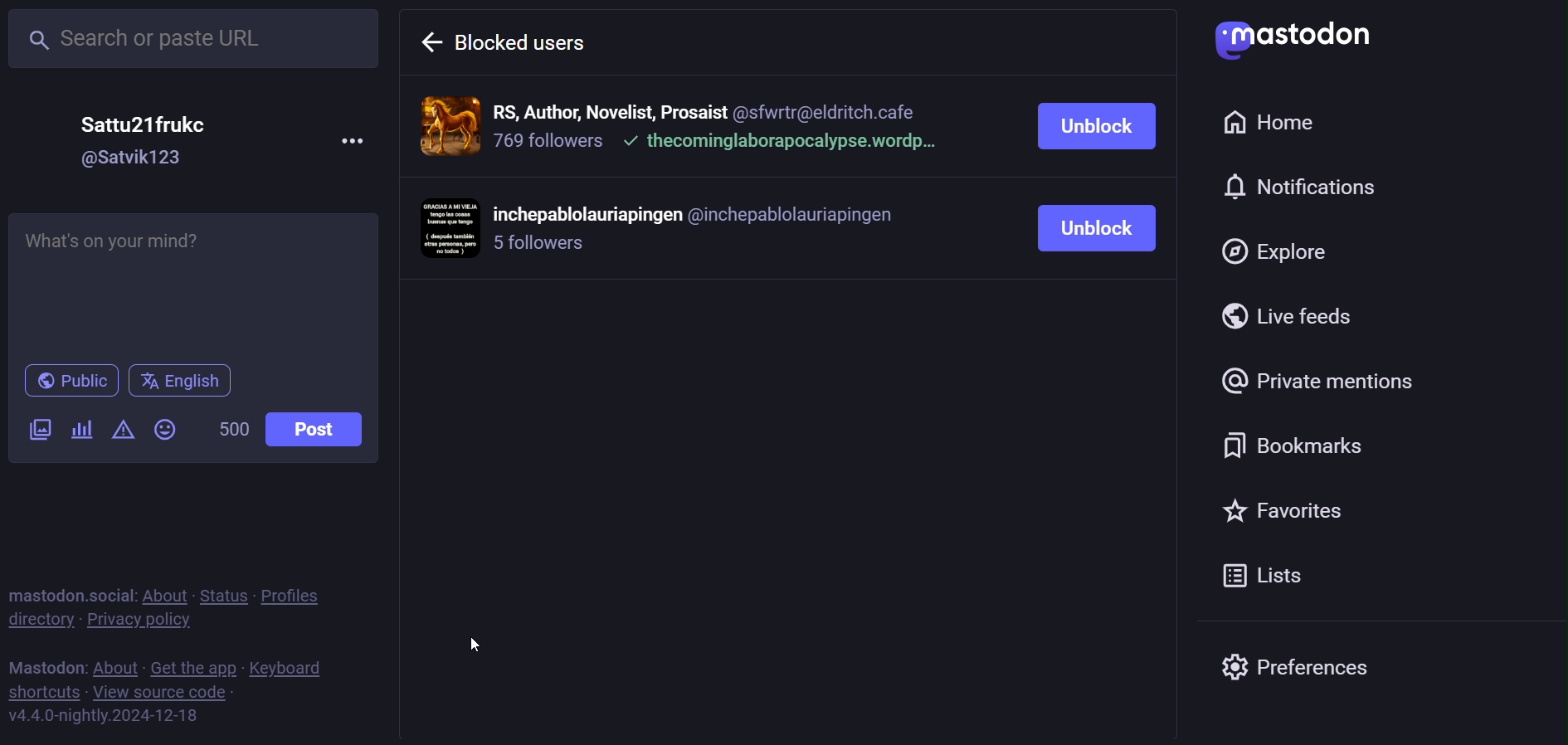 The width and height of the screenshot is (1568, 745). I want to click on status, so click(227, 587).